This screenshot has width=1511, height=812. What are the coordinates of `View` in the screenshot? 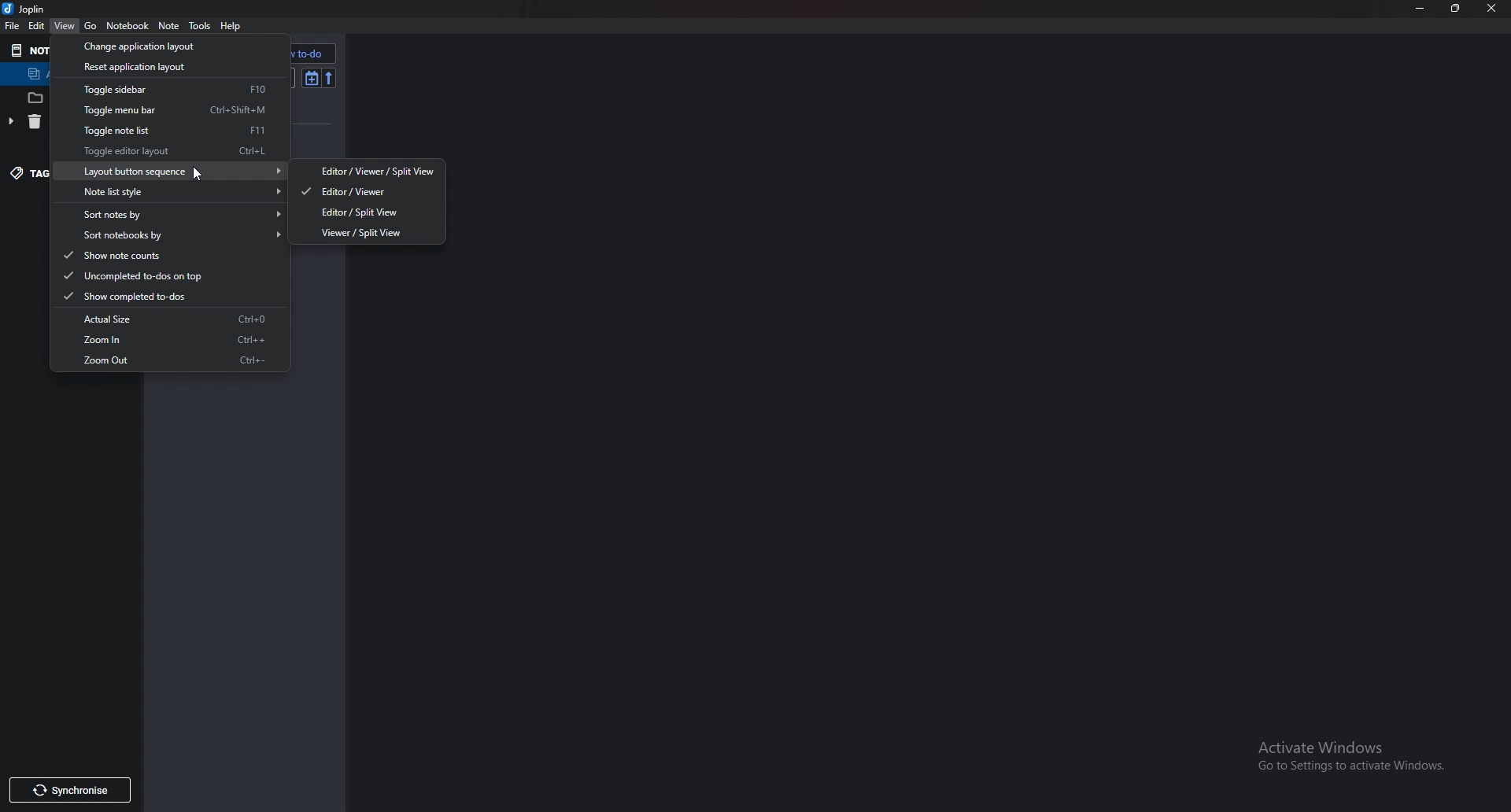 It's located at (65, 26).